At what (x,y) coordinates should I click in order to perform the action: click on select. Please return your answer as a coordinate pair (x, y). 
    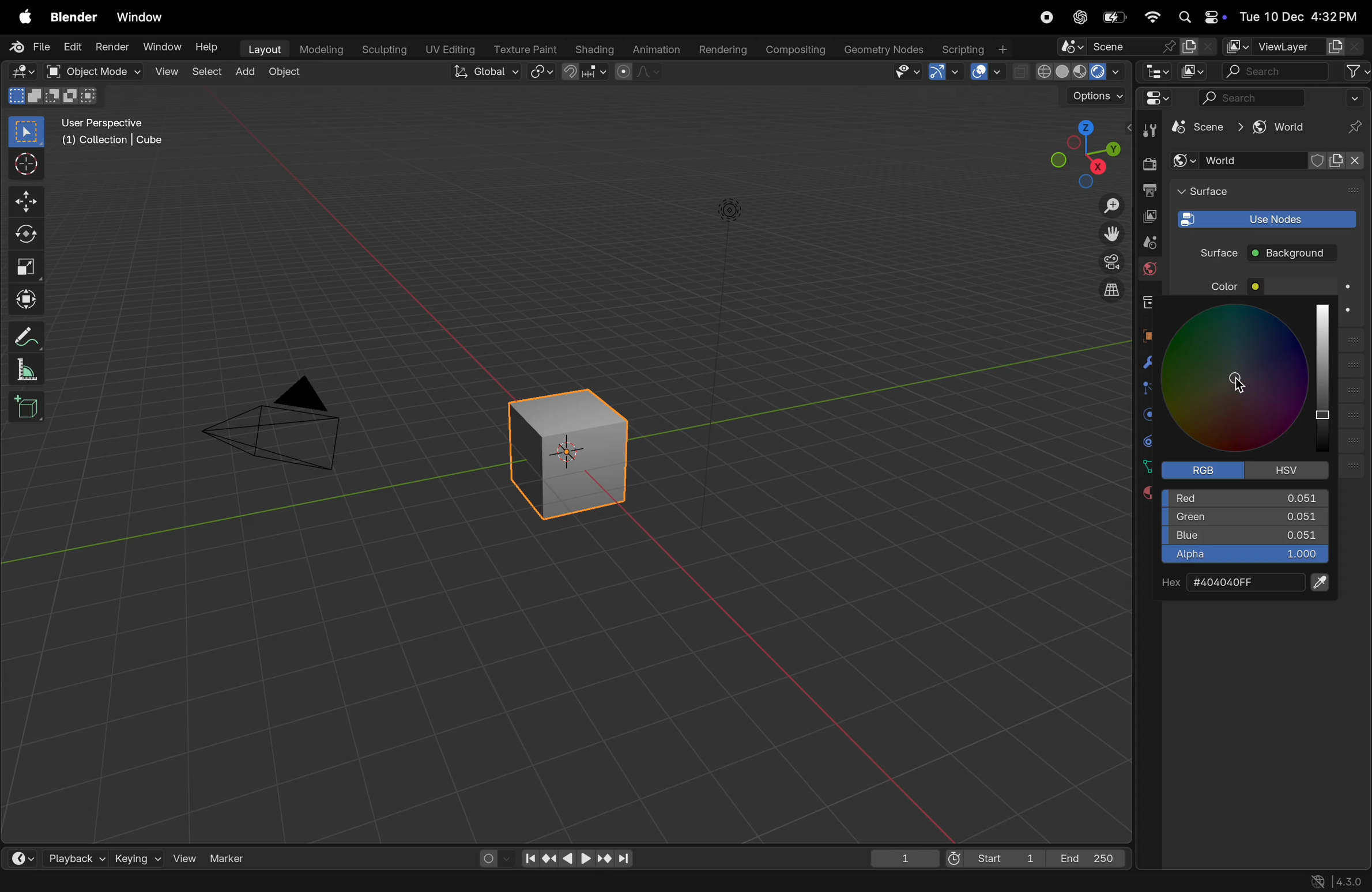
    Looking at the image, I should click on (28, 132).